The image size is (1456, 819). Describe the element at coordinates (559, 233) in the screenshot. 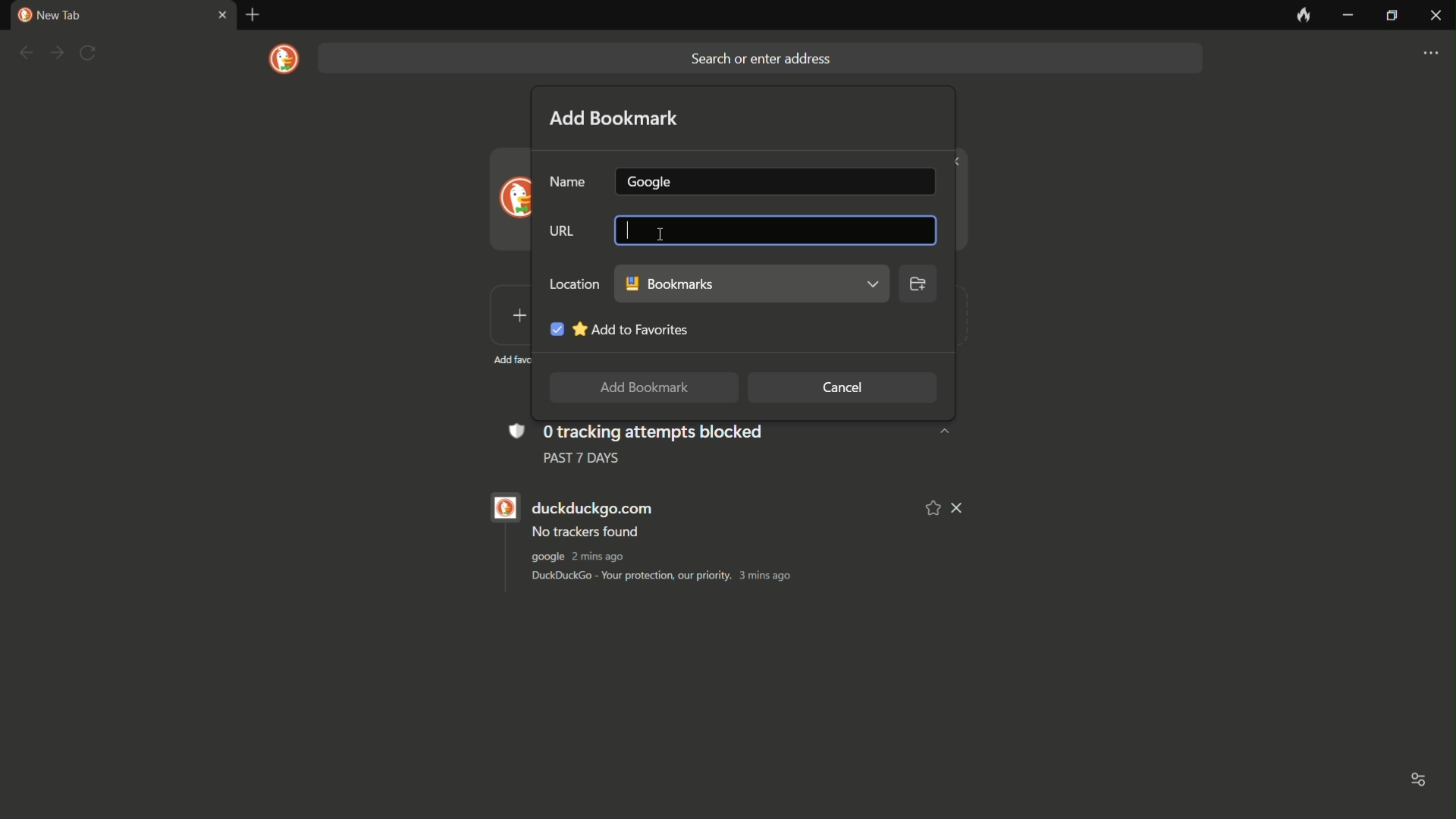

I see `URL` at that location.